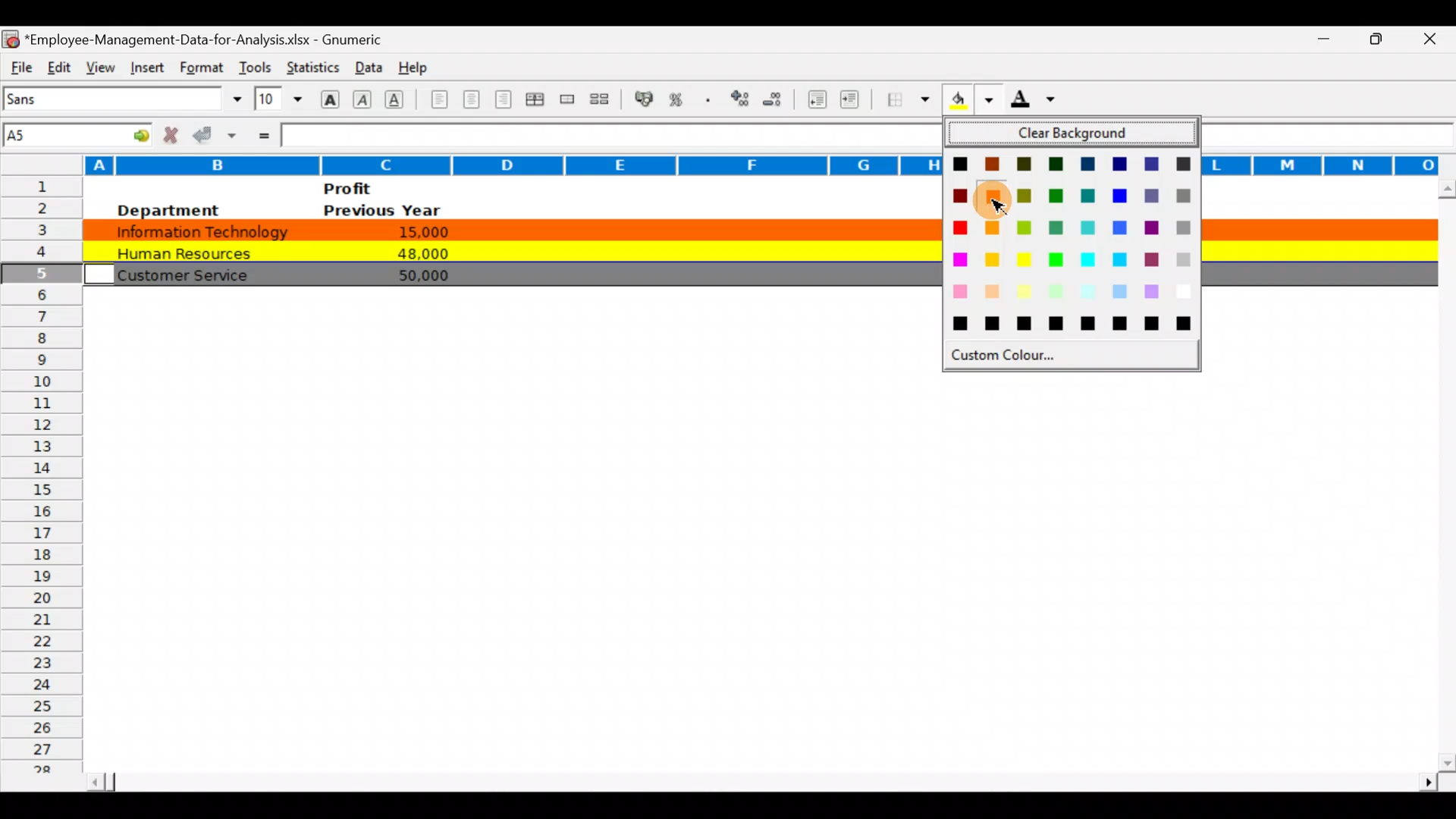 The width and height of the screenshot is (1456, 819). I want to click on Help, so click(414, 64).